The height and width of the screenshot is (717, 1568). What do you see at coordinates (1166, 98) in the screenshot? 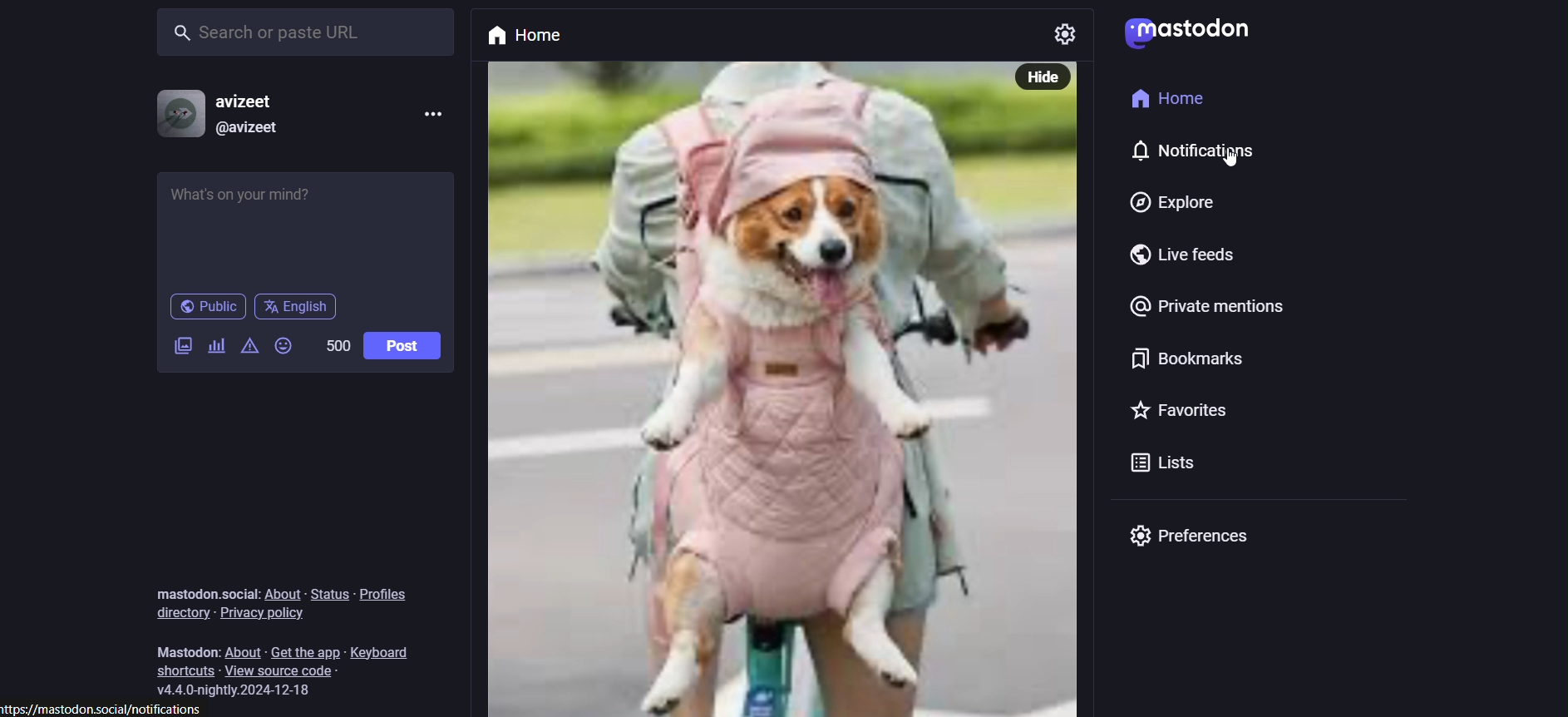
I see `home` at bounding box center [1166, 98].